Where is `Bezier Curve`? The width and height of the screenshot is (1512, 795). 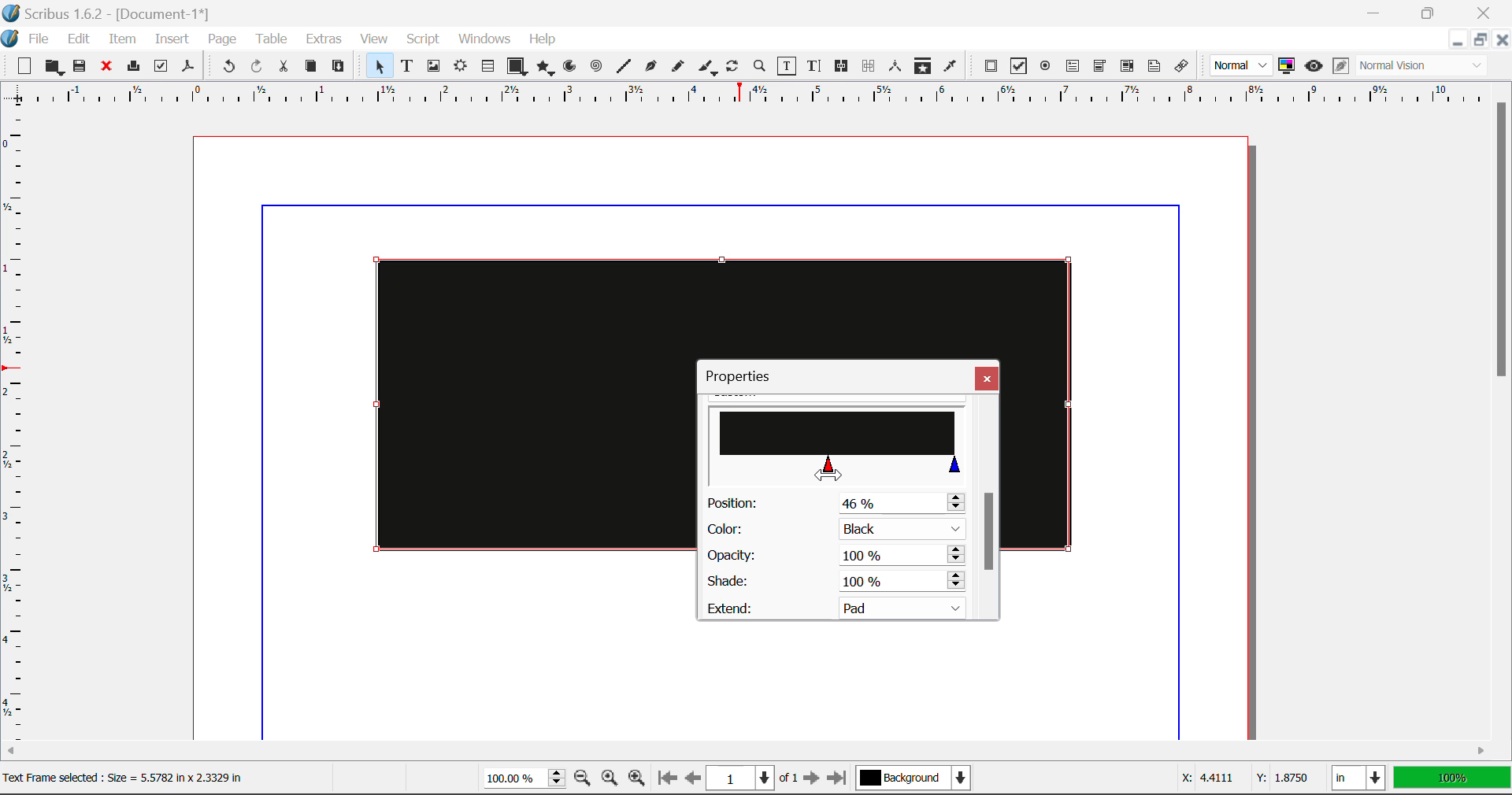 Bezier Curve is located at coordinates (651, 68).